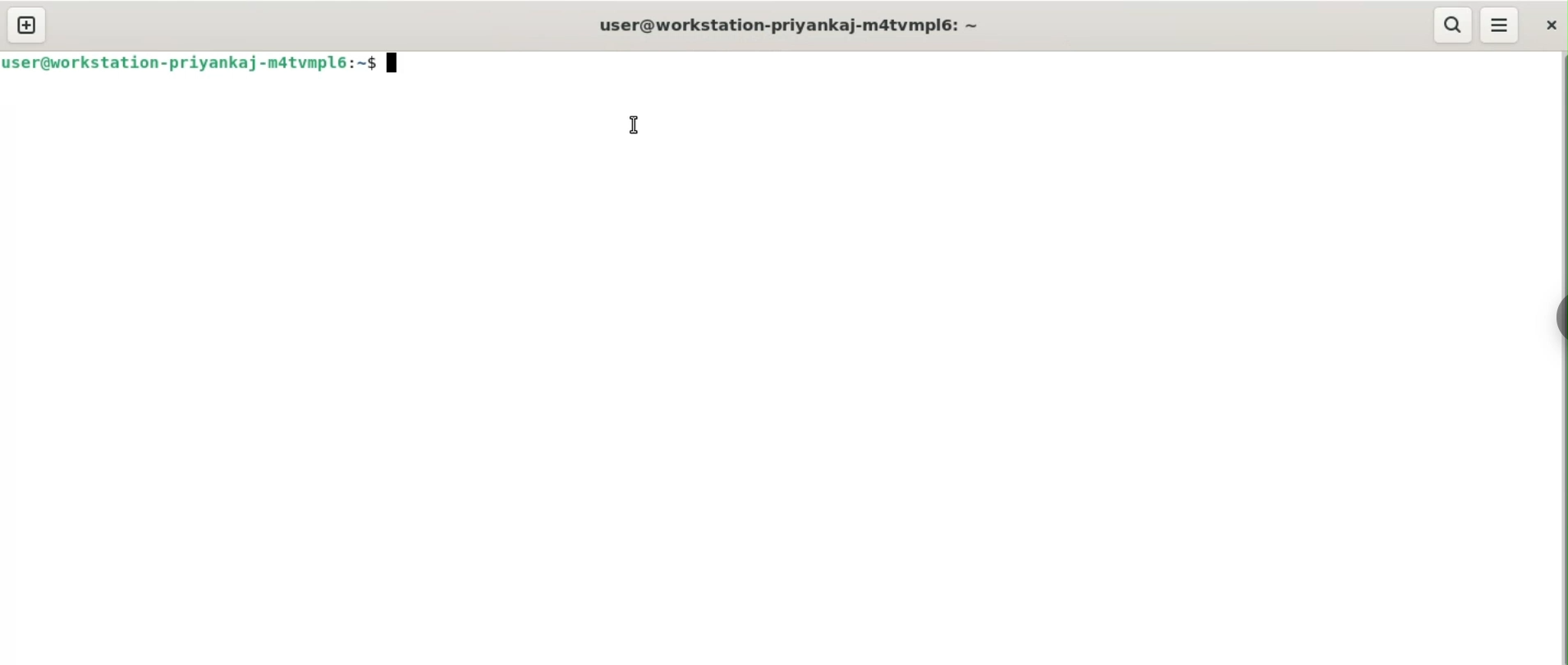 Image resolution: width=1568 pixels, height=665 pixels. Describe the element at coordinates (639, 124) in the screenshot. I see `cursor` at that location.